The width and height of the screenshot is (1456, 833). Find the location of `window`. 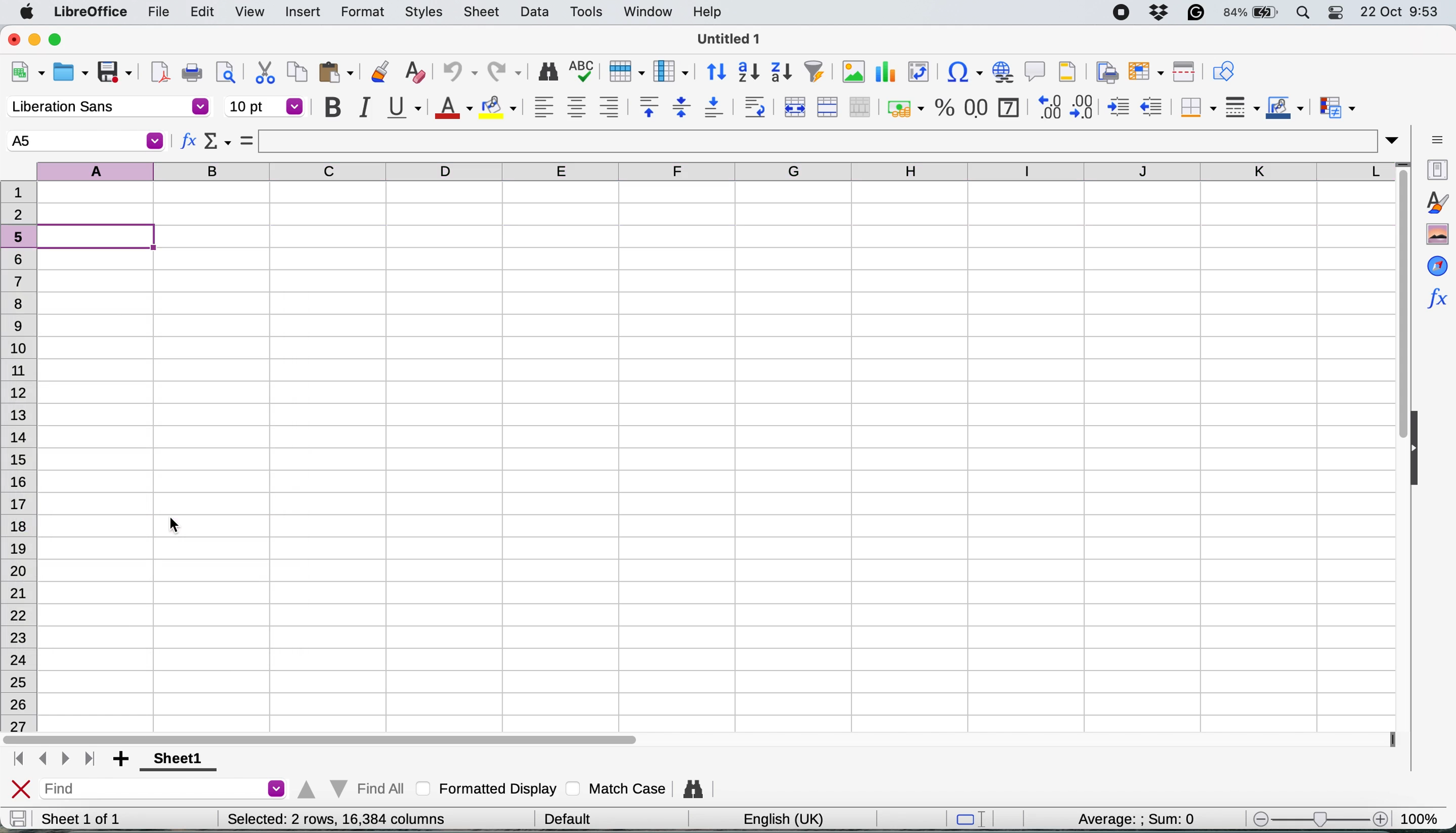

window is located at coordinates (647, 13).